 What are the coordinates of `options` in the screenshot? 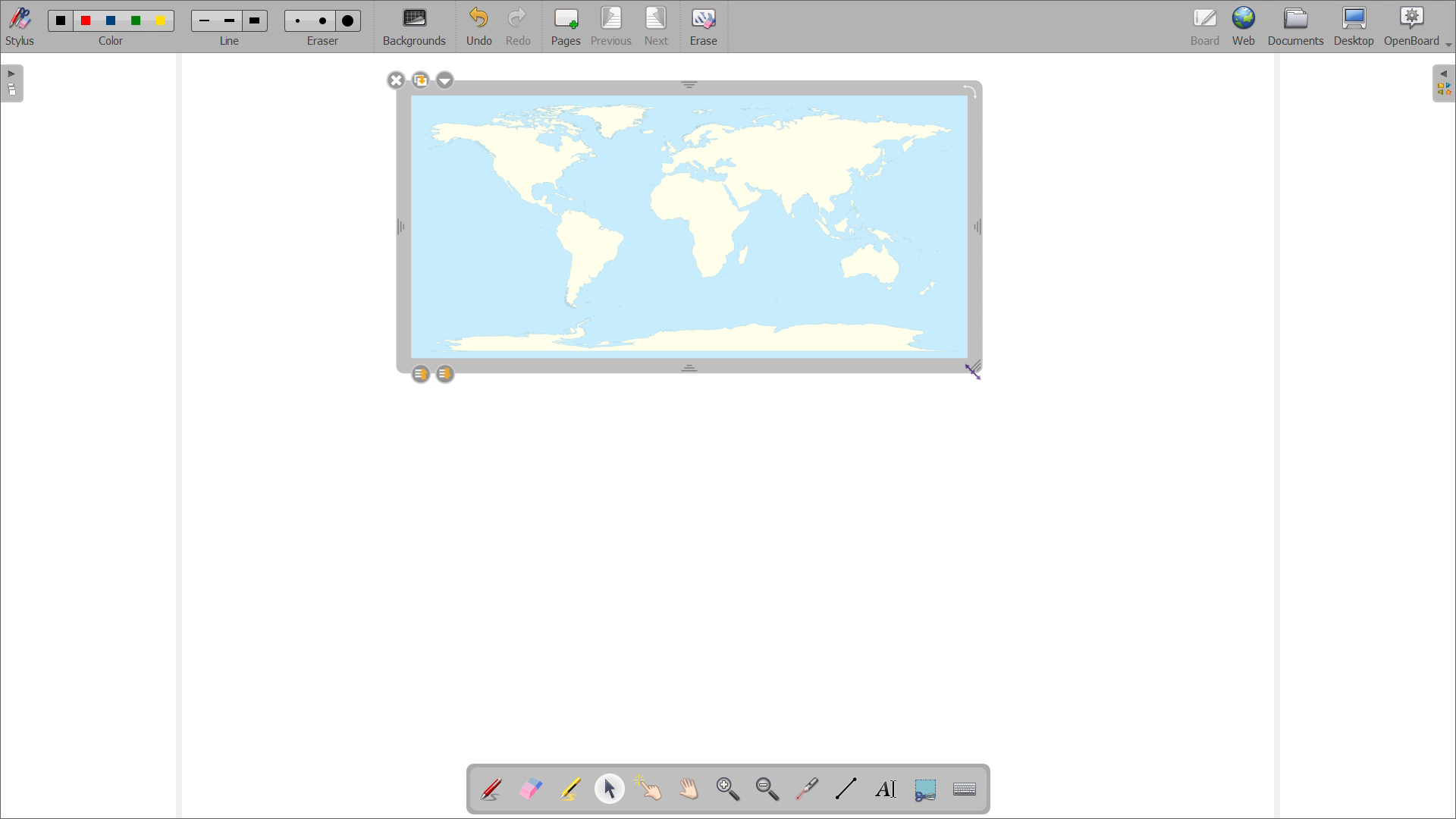 It's located at (445, 80).